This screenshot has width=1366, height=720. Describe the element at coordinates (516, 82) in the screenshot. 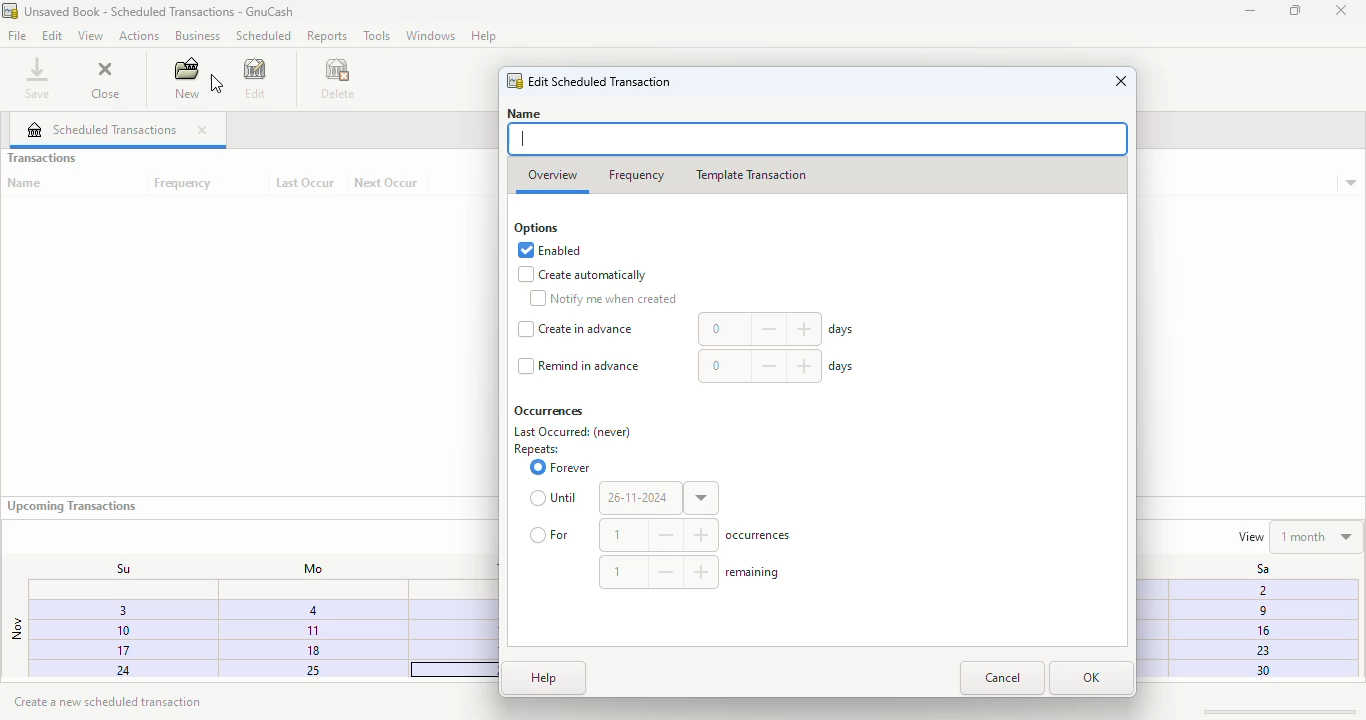

I see `logo` at that location.